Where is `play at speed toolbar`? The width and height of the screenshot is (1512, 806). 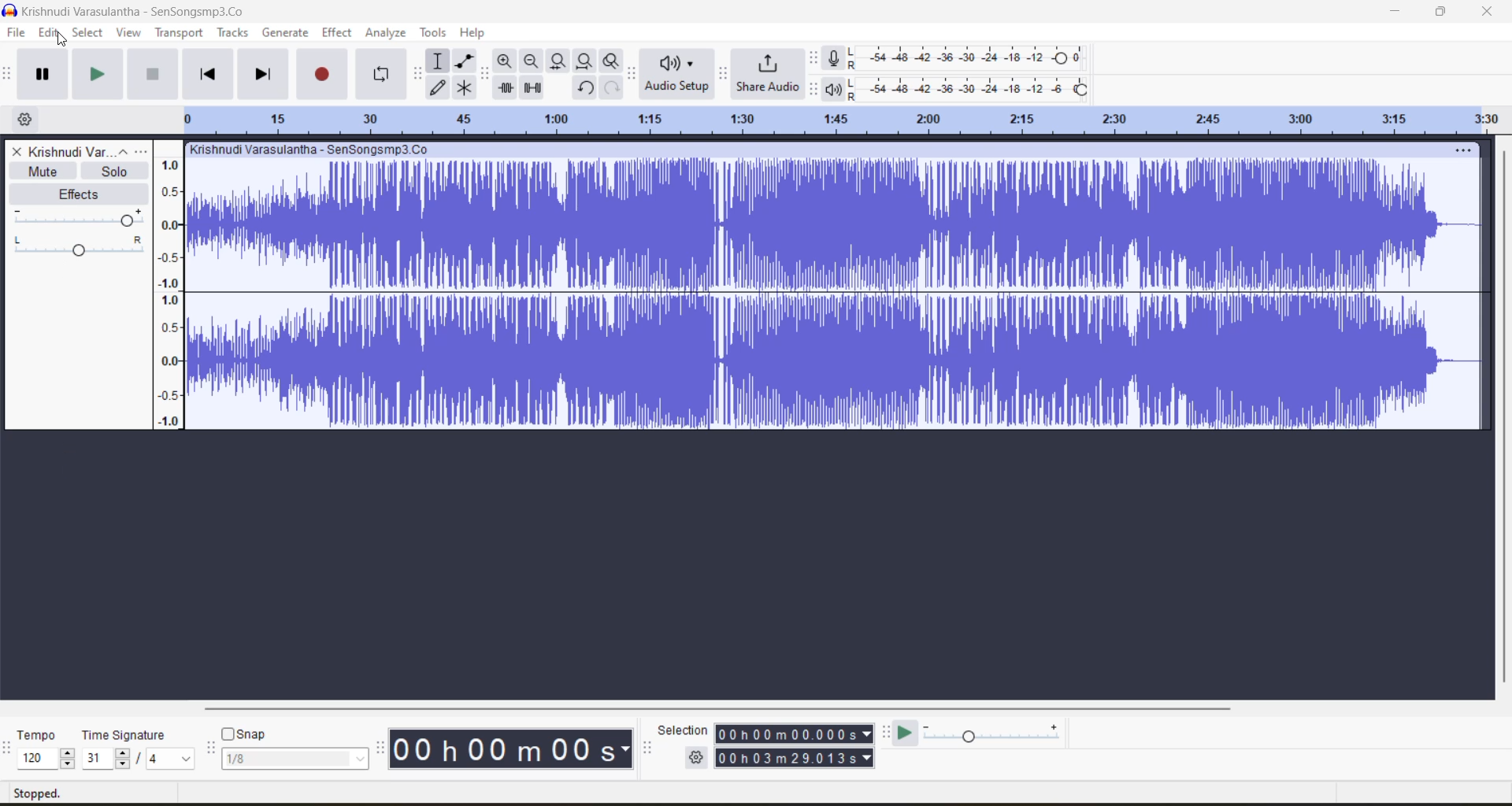 play at speed toolbar is located at coordinates (888, 733).